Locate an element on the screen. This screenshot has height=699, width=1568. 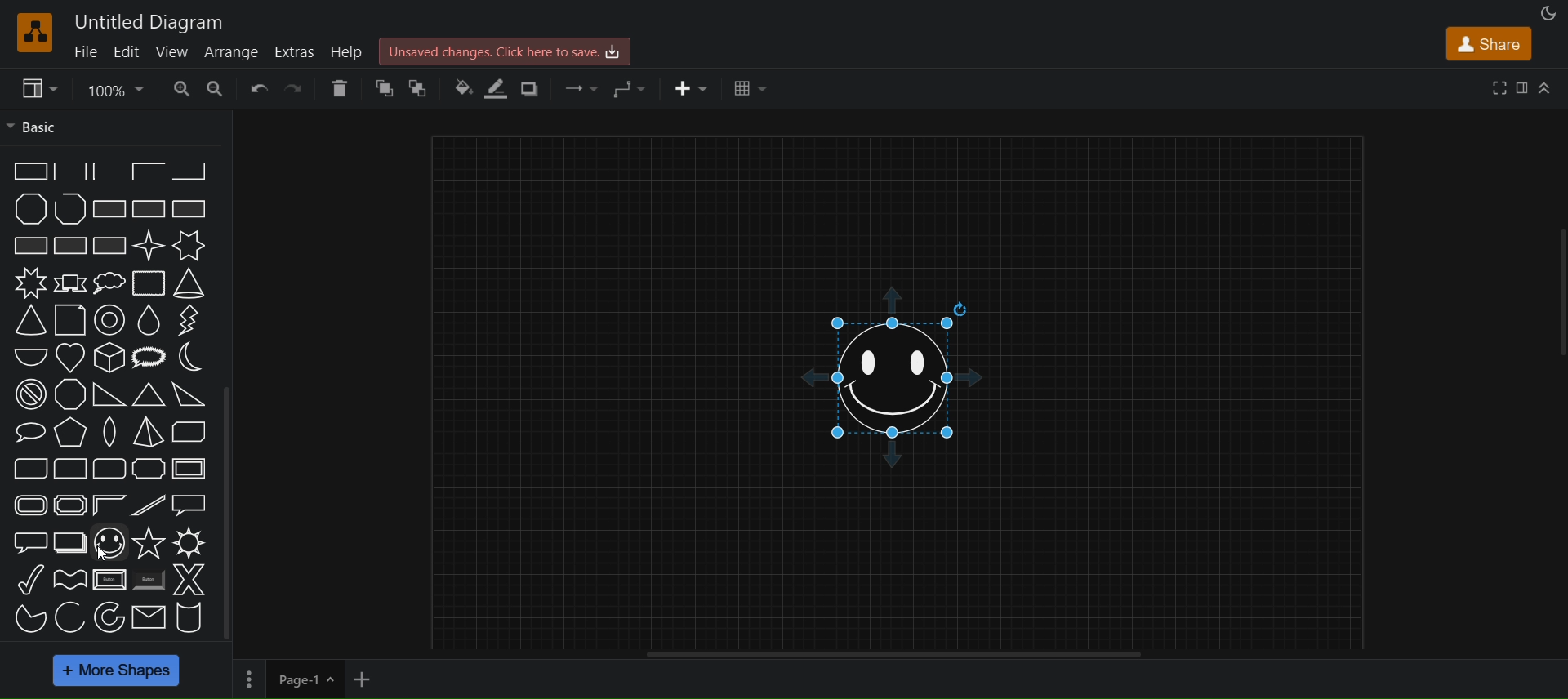
more shapes is located at coordinates (116, 671).